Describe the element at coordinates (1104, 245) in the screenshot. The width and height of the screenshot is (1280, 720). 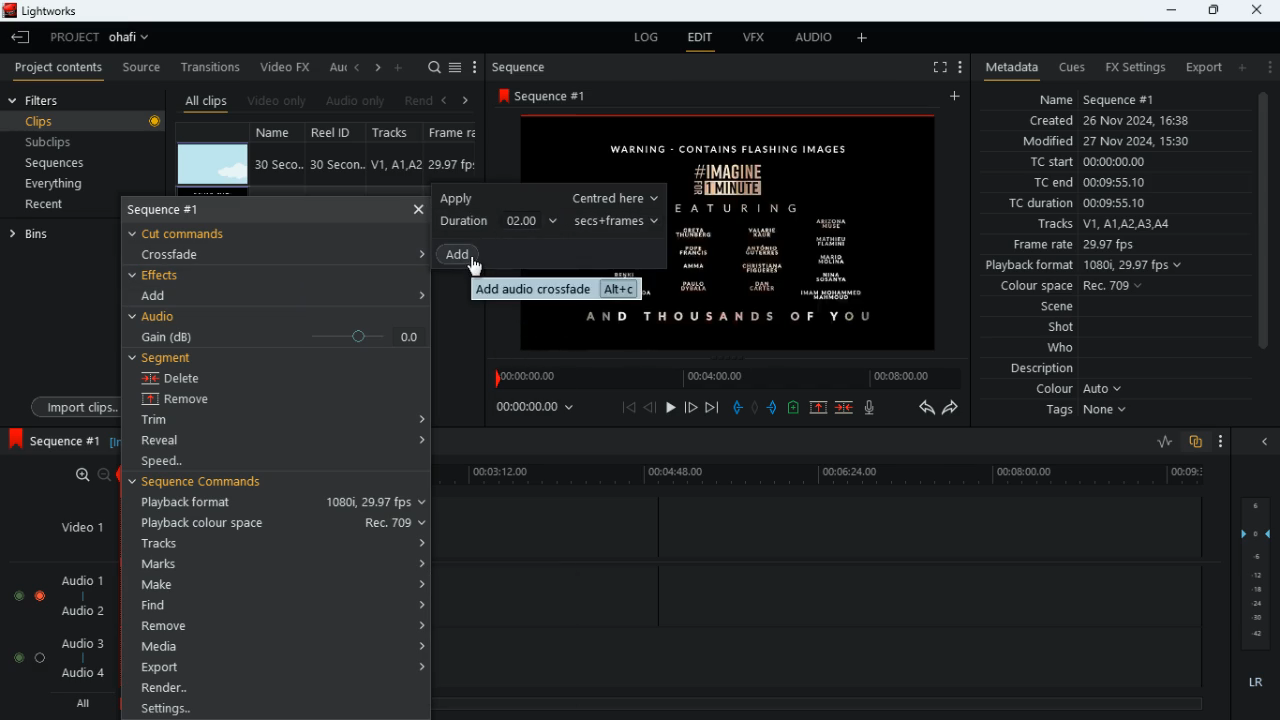
I see `frame rate` at that location.